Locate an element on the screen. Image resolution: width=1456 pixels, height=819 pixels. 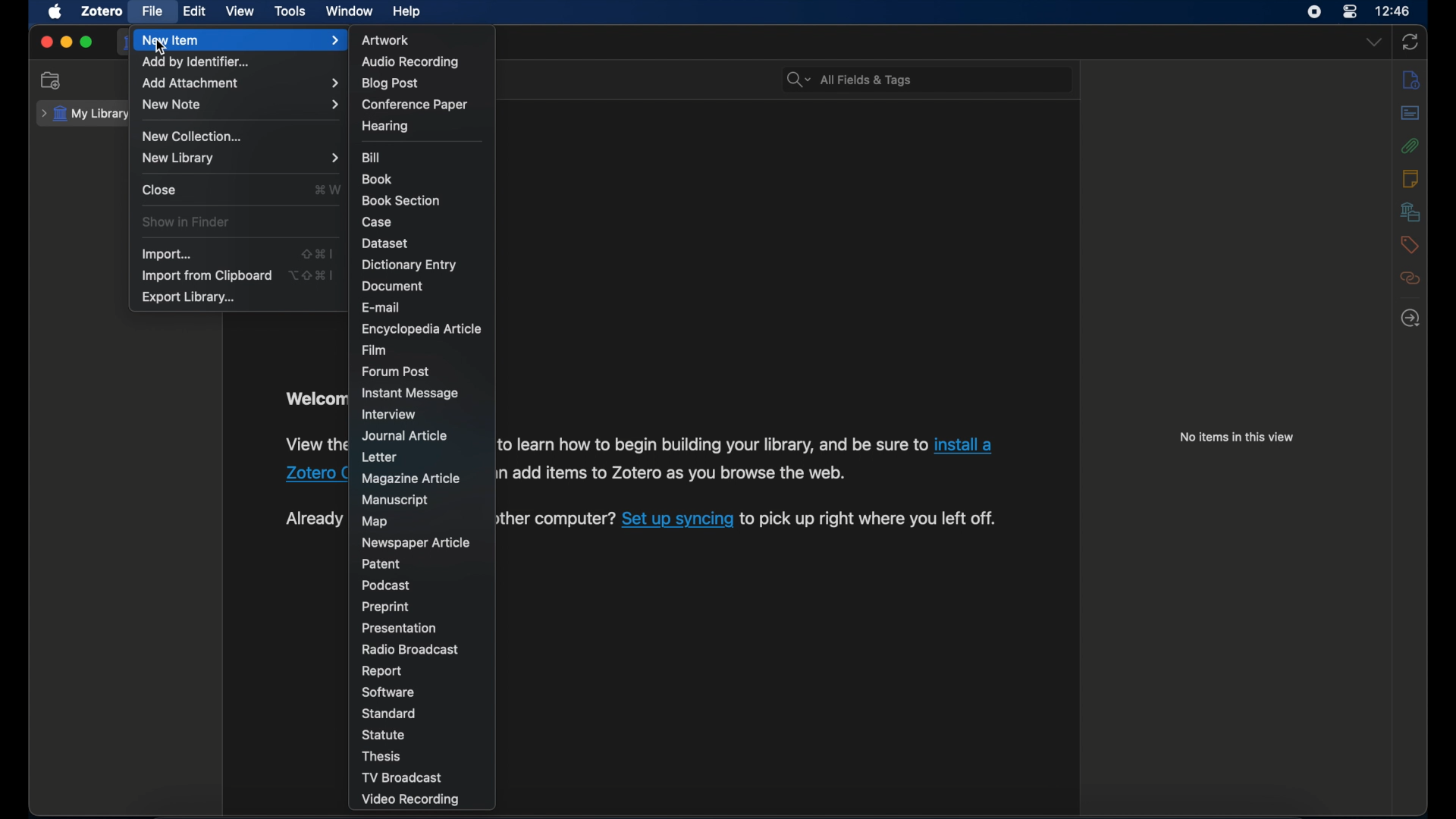
drop-down is located at coordinates (1375, 42).